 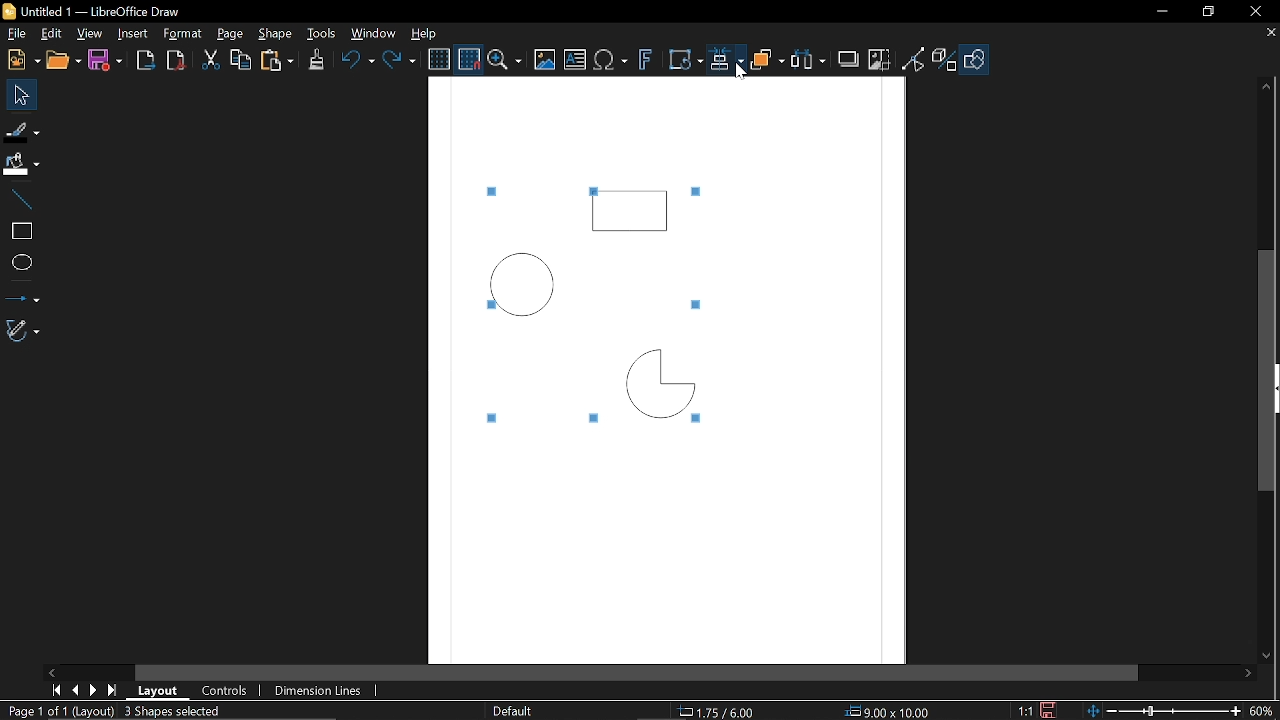 I want to click on 60% (Current zoom), so click(x=1261, y=710).